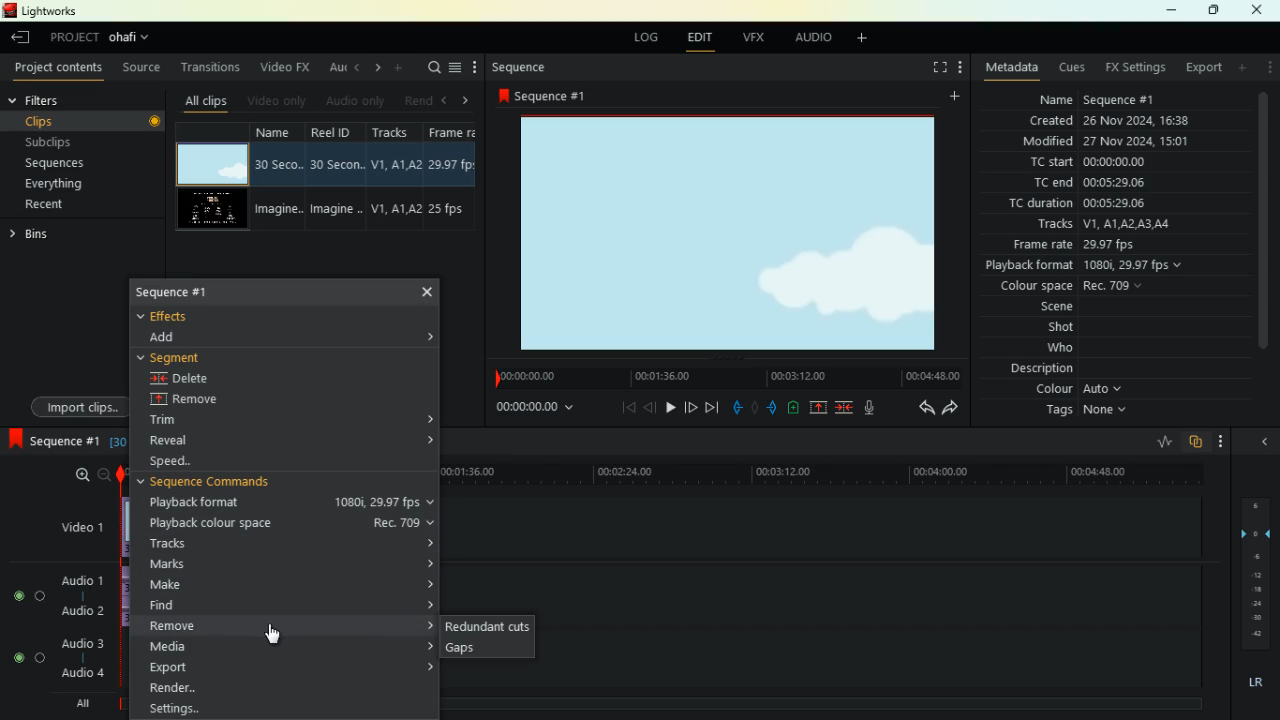  I want to click on hold, so click(755, 406).